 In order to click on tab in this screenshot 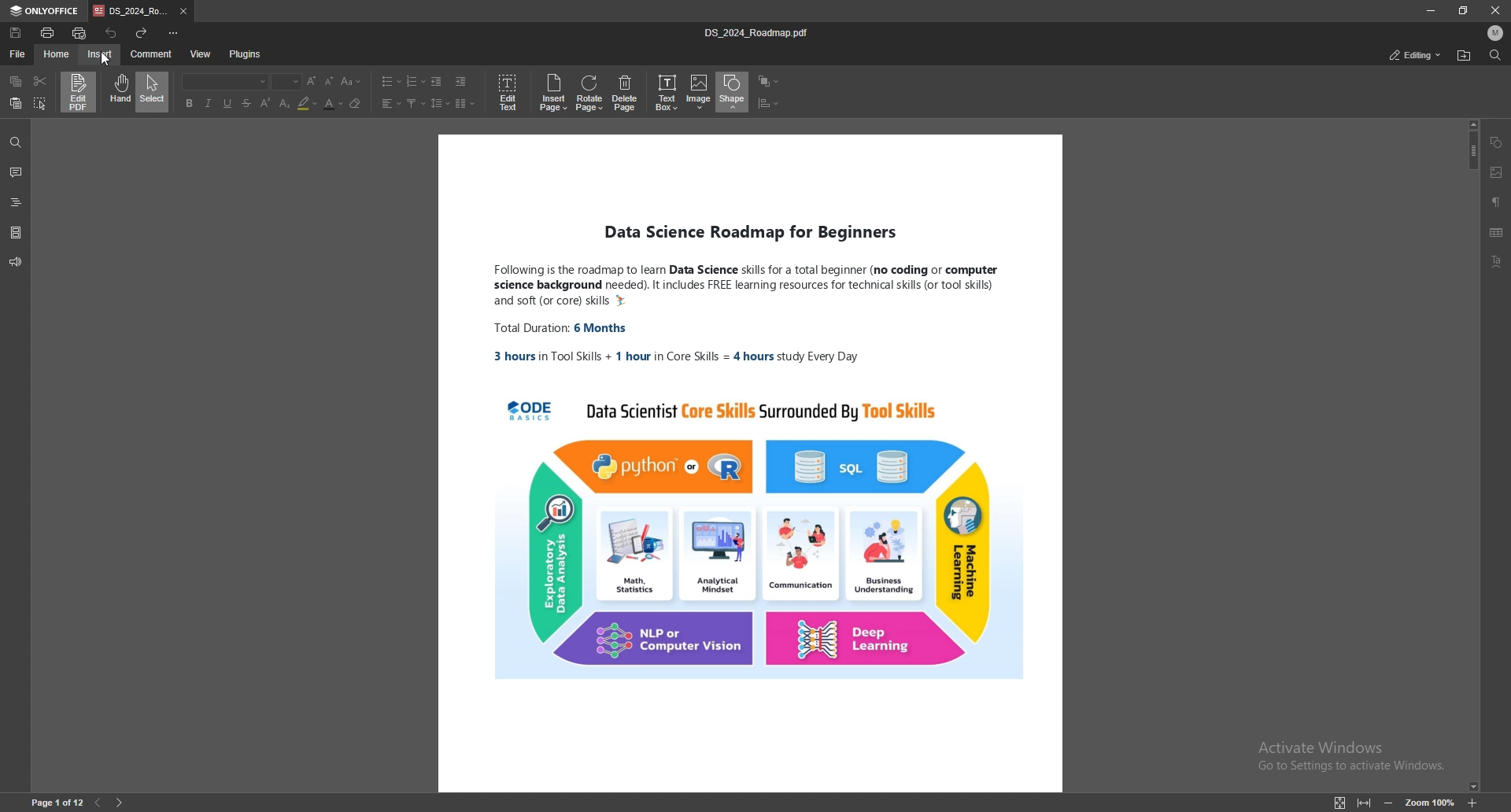, I will do `click(131, 12)`.